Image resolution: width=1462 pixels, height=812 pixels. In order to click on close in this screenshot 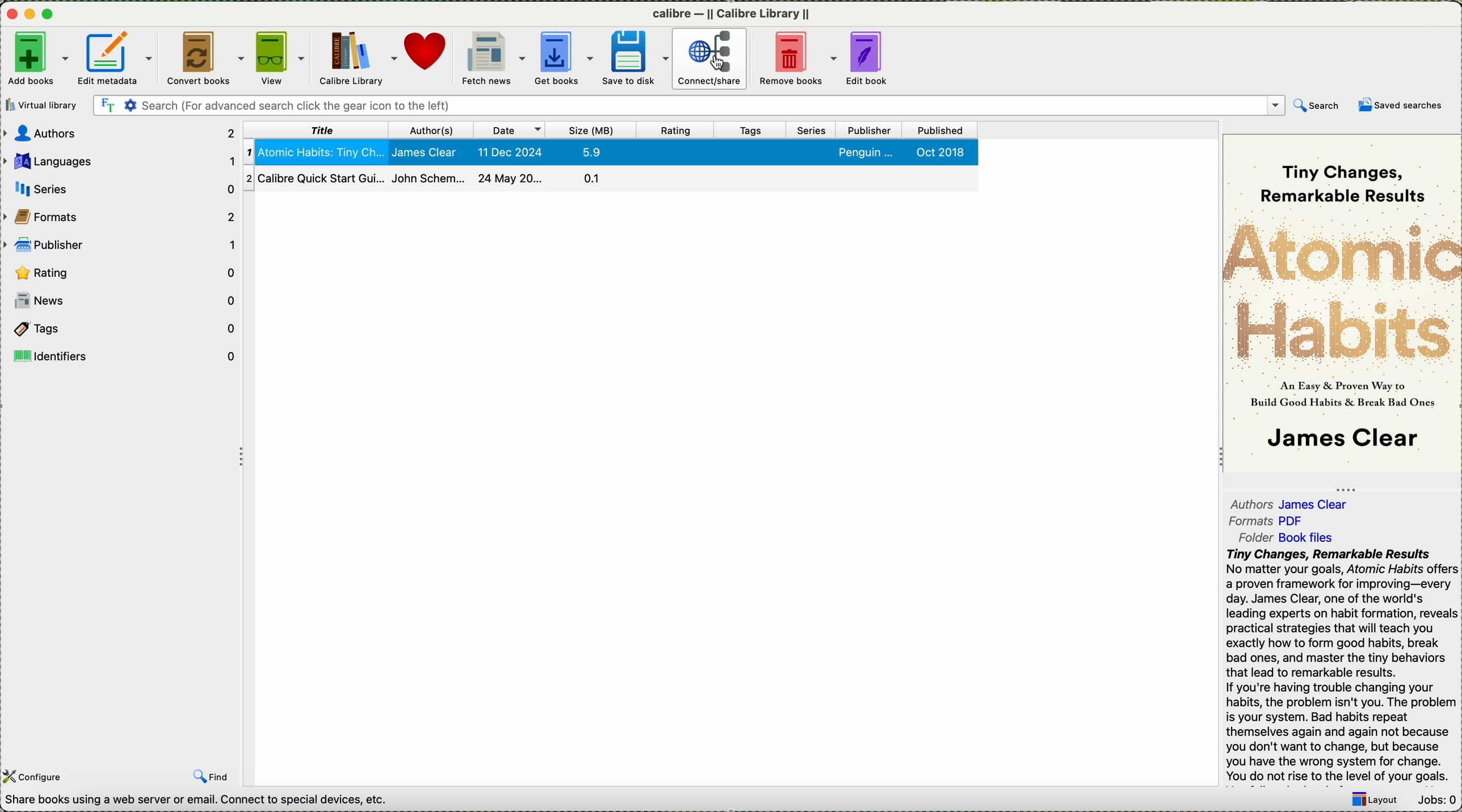, I will do `click(14, 15)`.